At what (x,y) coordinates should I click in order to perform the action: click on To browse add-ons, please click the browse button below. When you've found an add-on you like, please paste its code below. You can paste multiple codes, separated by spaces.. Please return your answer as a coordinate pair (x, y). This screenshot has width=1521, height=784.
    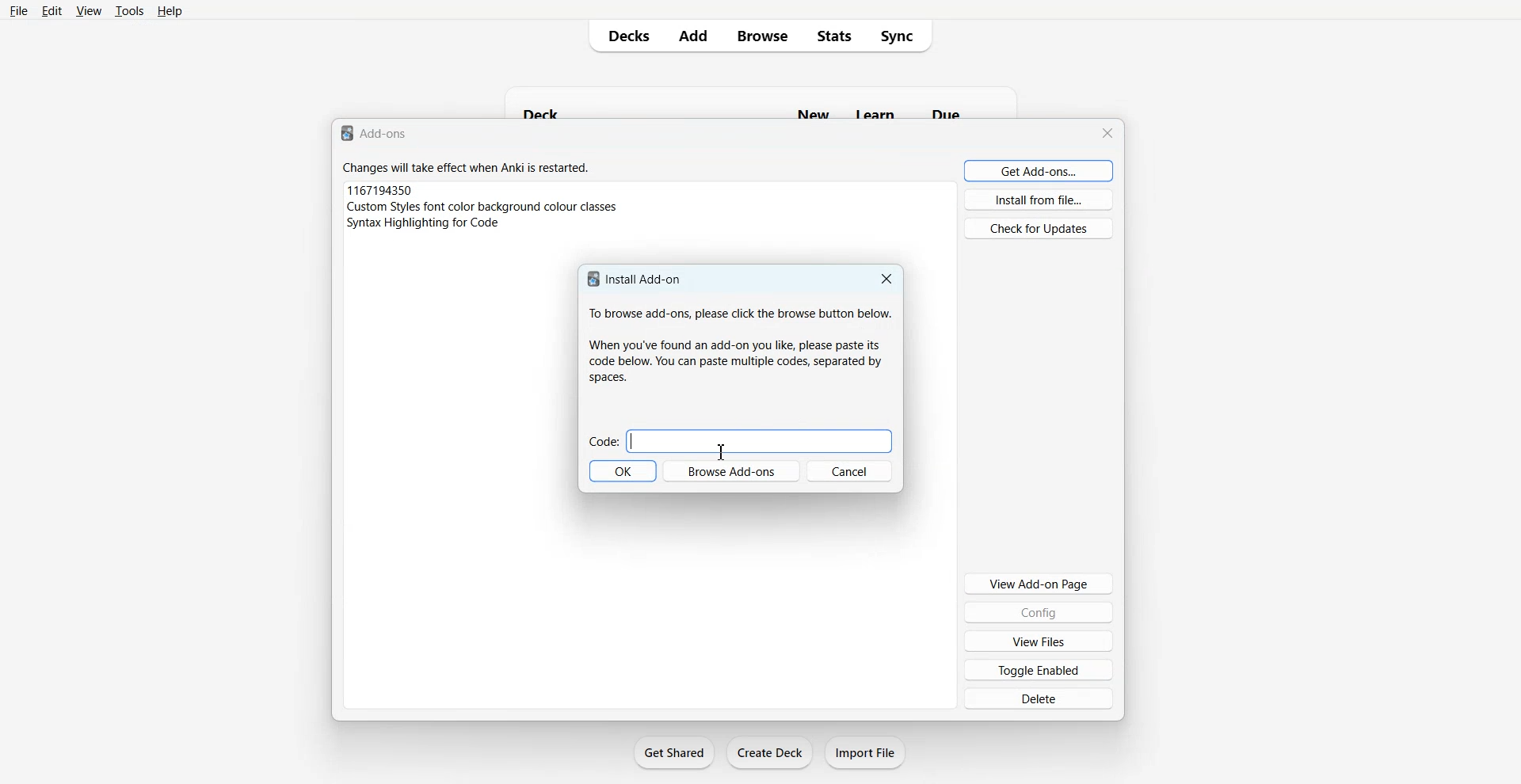
    Looking at the image, I should click on (738, 349).